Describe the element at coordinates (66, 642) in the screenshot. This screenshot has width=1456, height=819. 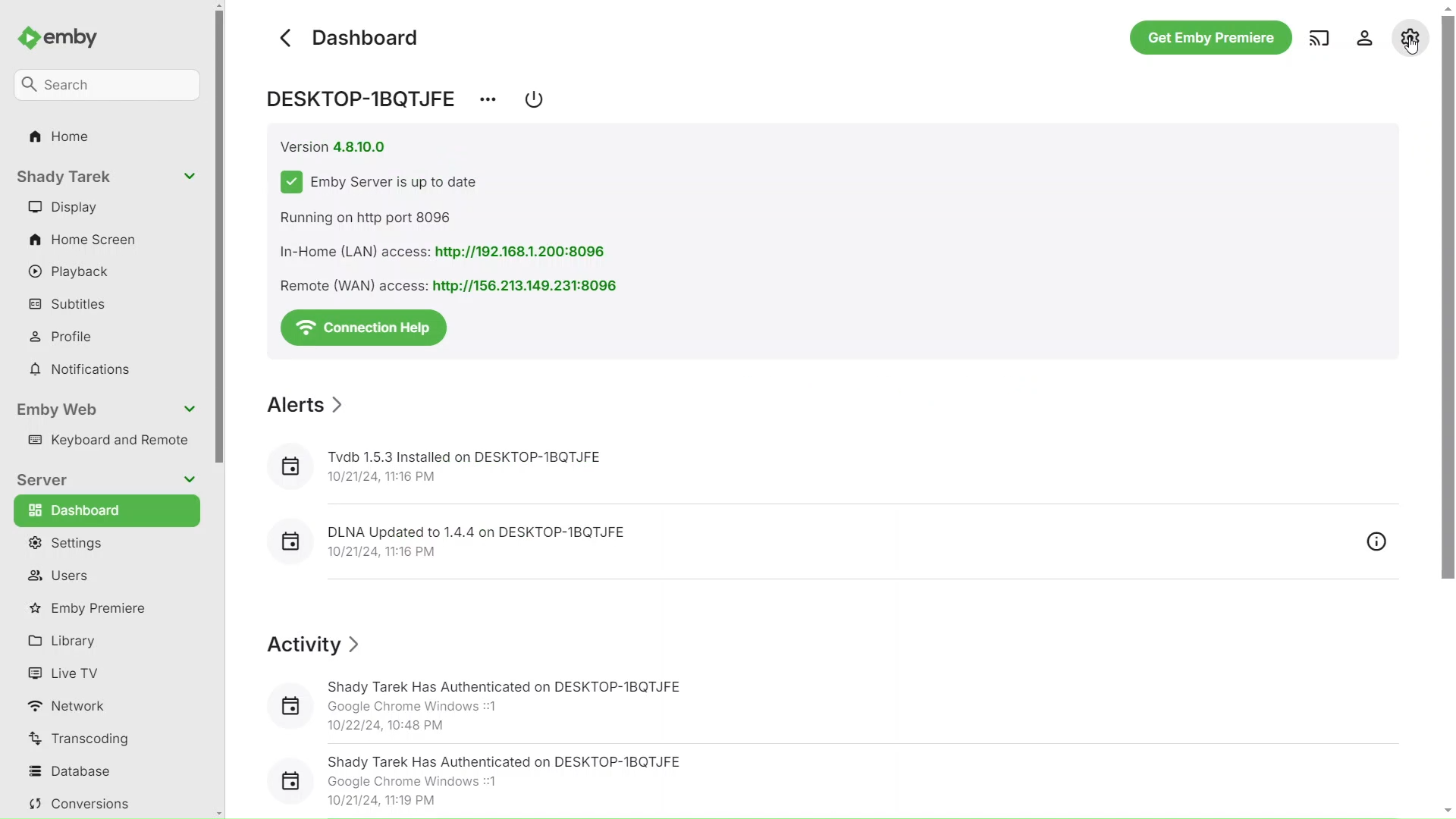
I see `0 Library` at that location.